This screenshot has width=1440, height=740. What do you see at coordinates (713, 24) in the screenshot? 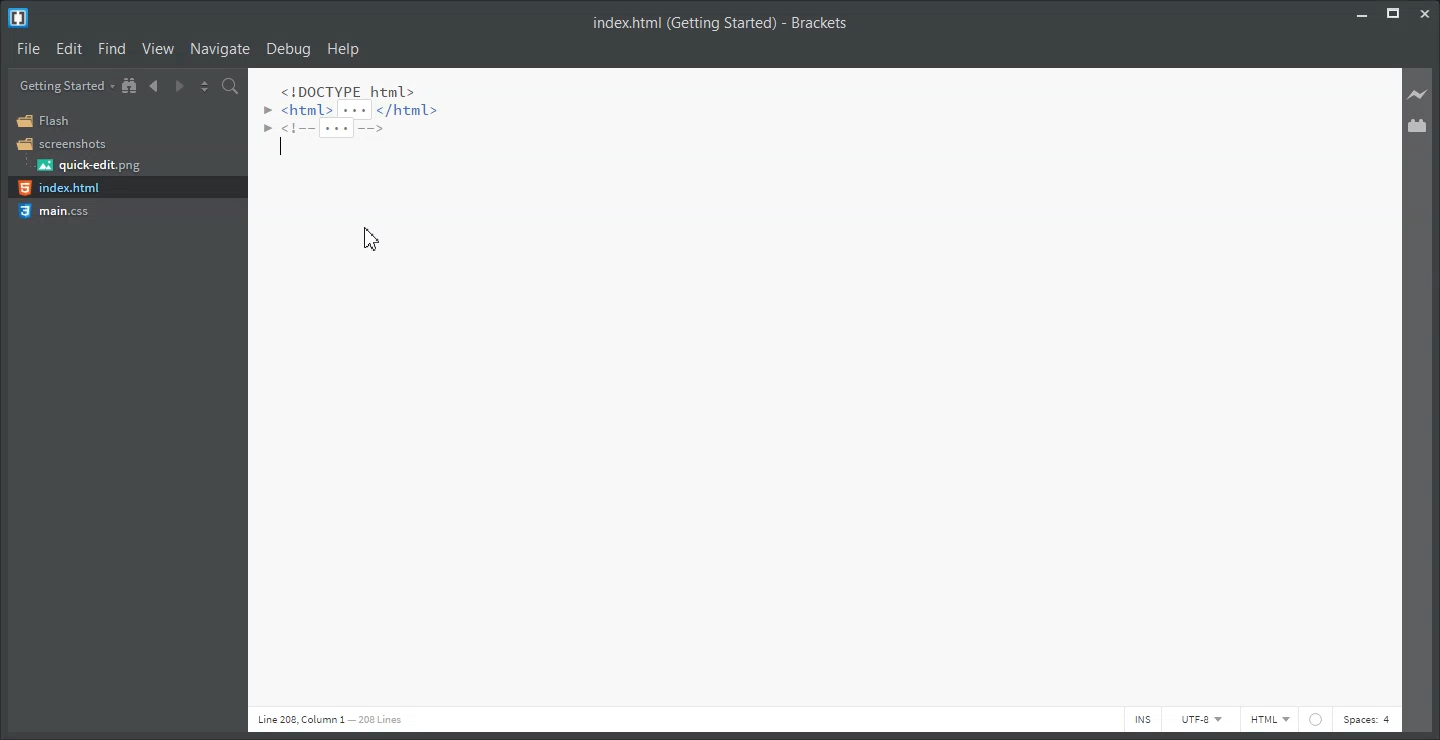
I see `index.html (Getting Started) - Brackets` at bounding box center [713, 24].